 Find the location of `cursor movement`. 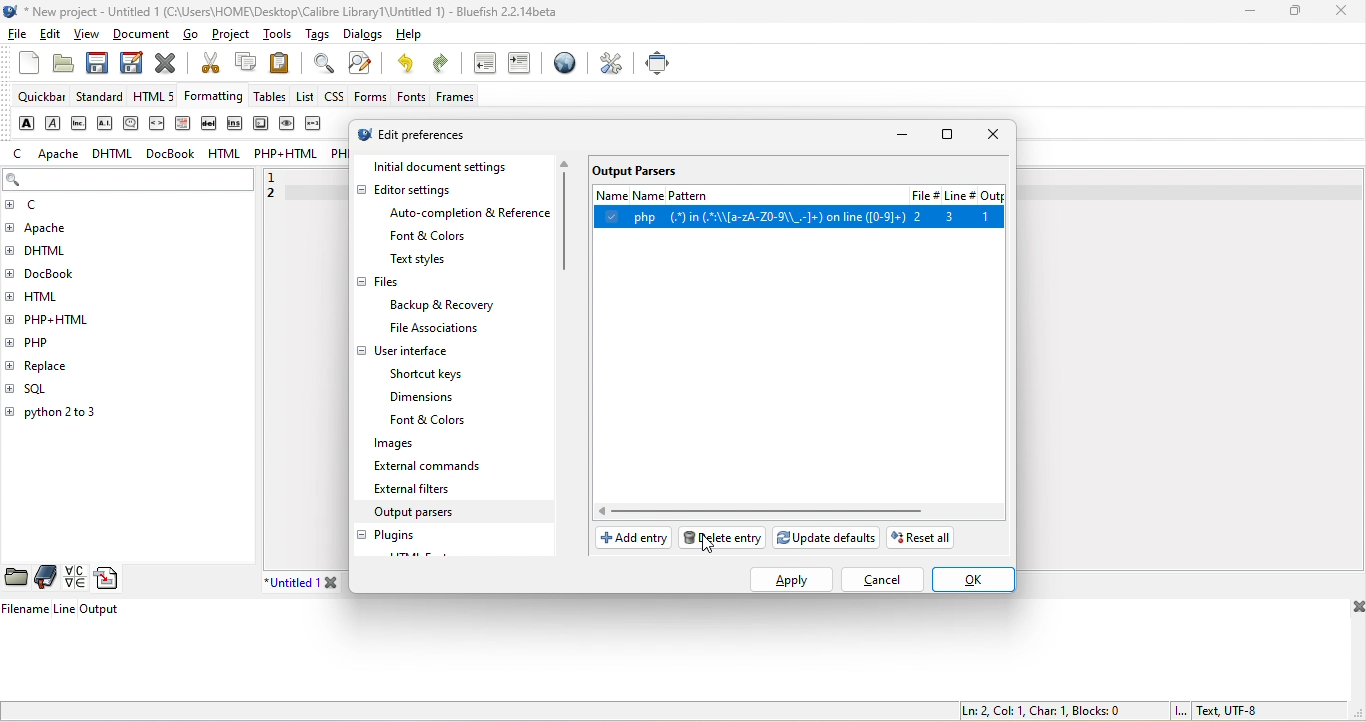

cursor movement is located at coordinates (716, 545).